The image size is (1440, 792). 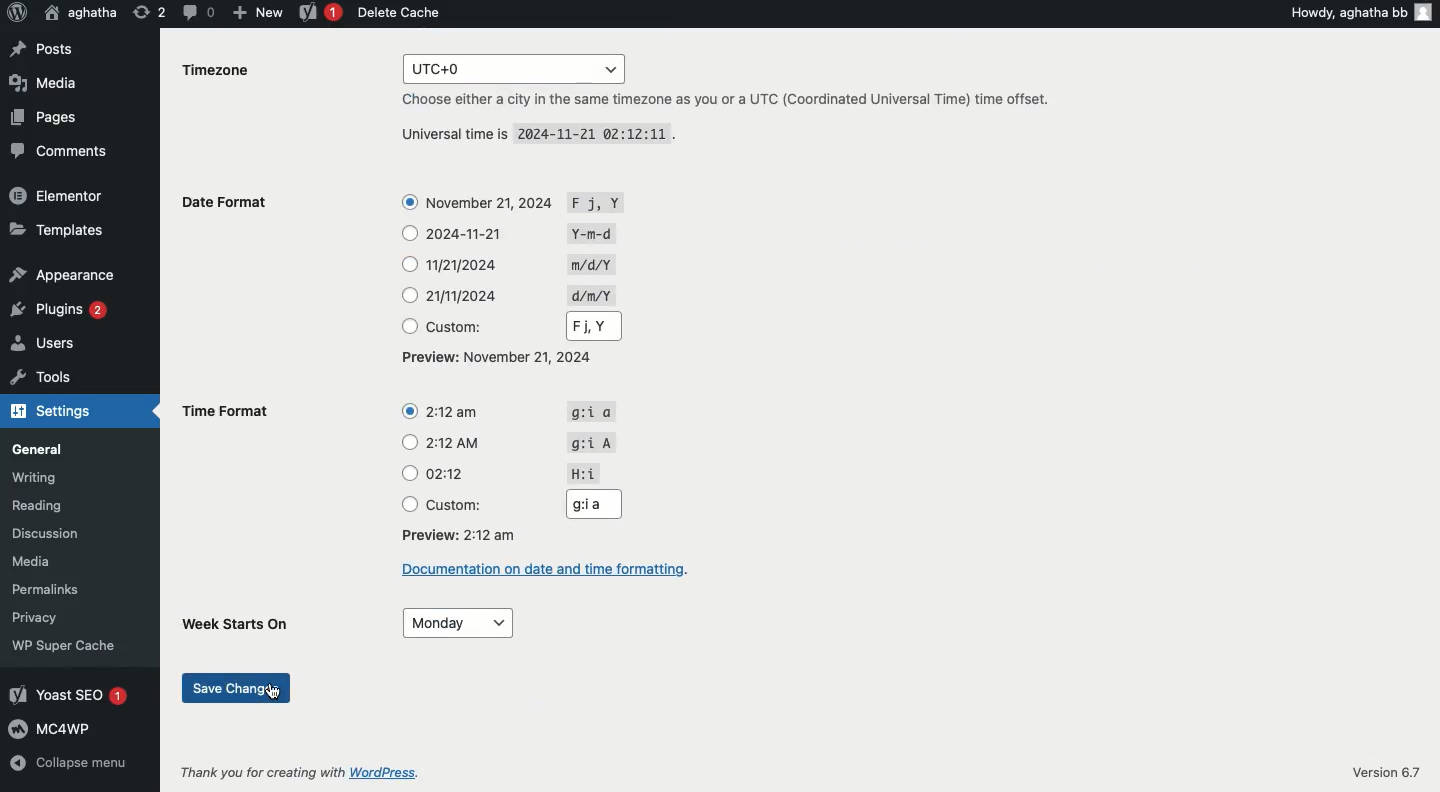 I want to click on Discussion, so click(x=60, y=536).